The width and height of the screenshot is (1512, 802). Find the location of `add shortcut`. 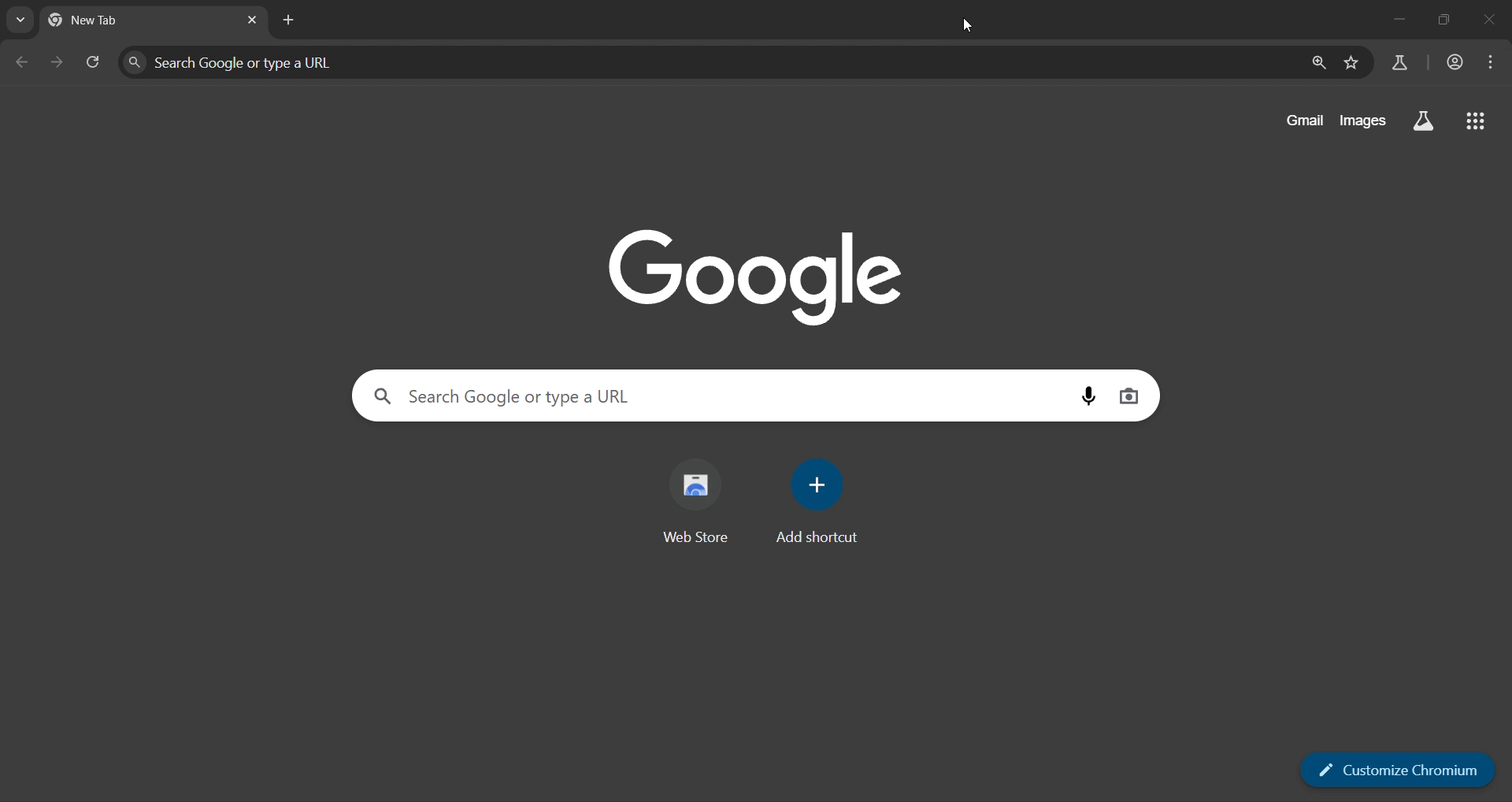

add shortcut is located at coordinates (816, 499).